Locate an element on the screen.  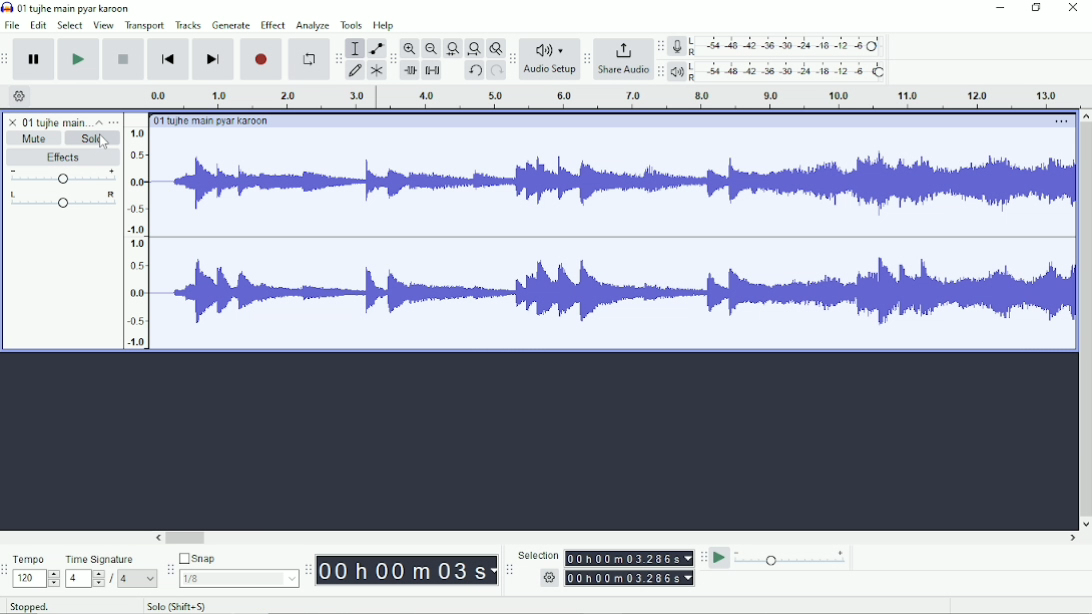
Audio duration is located at coordinates (606, 96).